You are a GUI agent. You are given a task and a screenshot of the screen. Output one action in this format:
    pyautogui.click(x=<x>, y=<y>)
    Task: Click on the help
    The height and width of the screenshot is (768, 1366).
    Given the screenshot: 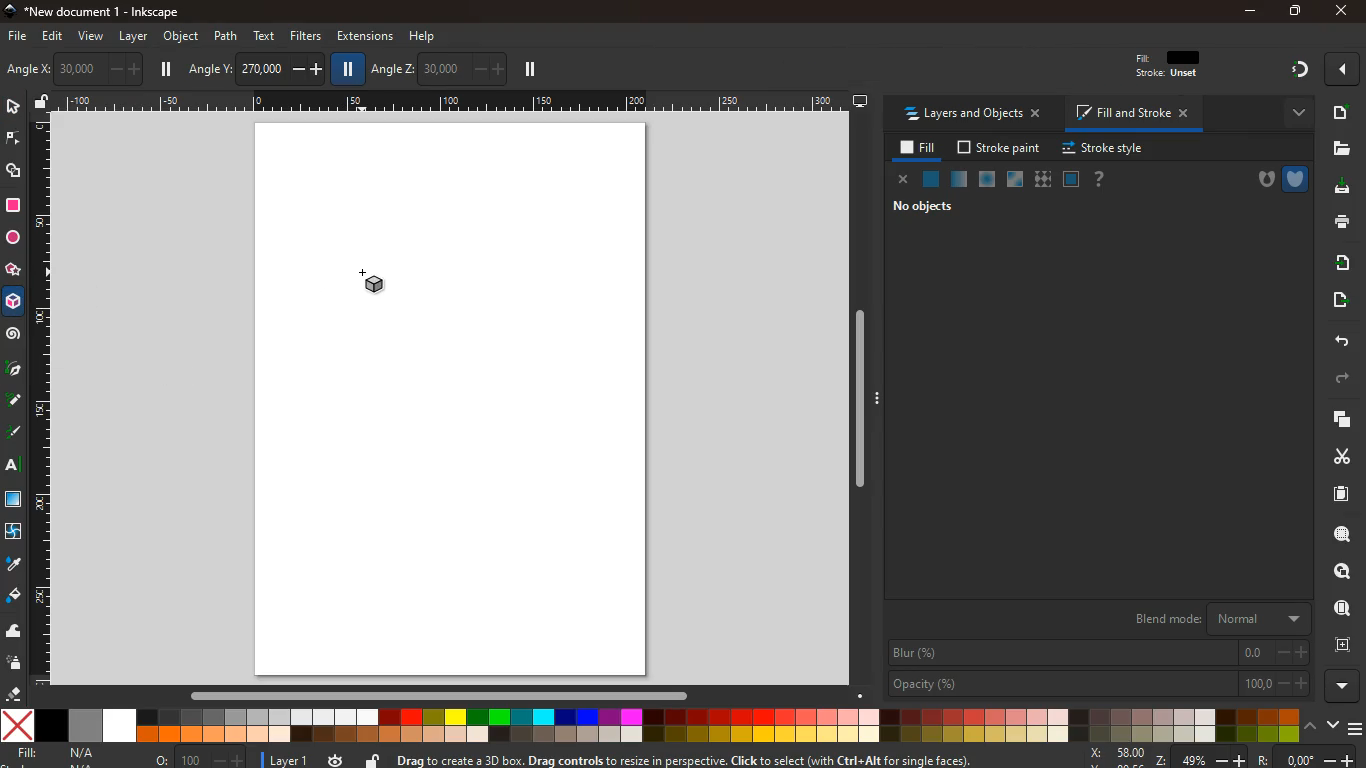 What is the action you would take?
    pyautogui.click(x=424, y=34)
    